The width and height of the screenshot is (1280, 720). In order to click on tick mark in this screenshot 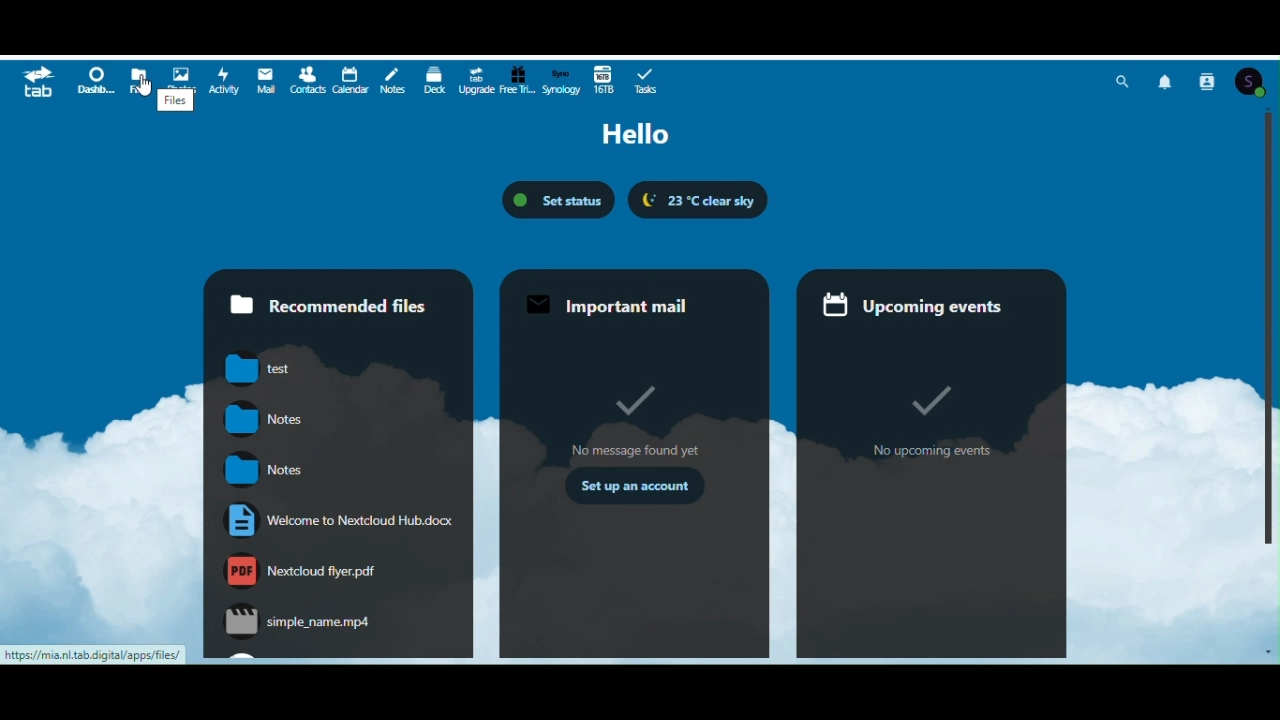, I will do `click(929, 402)`.